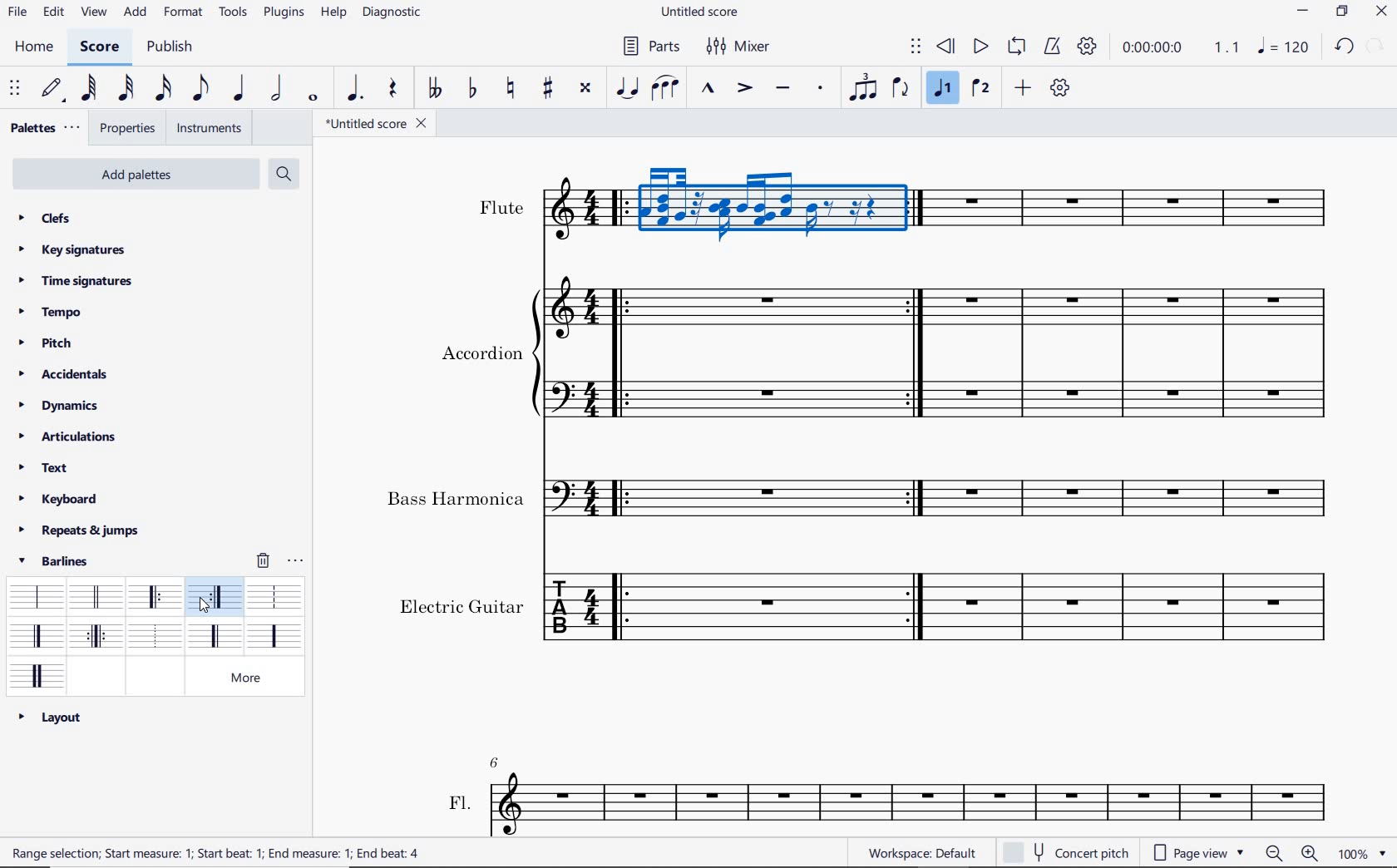 The image size is (1397, 868). I want to click on RESTORE DOWN, so click(1341, 12).